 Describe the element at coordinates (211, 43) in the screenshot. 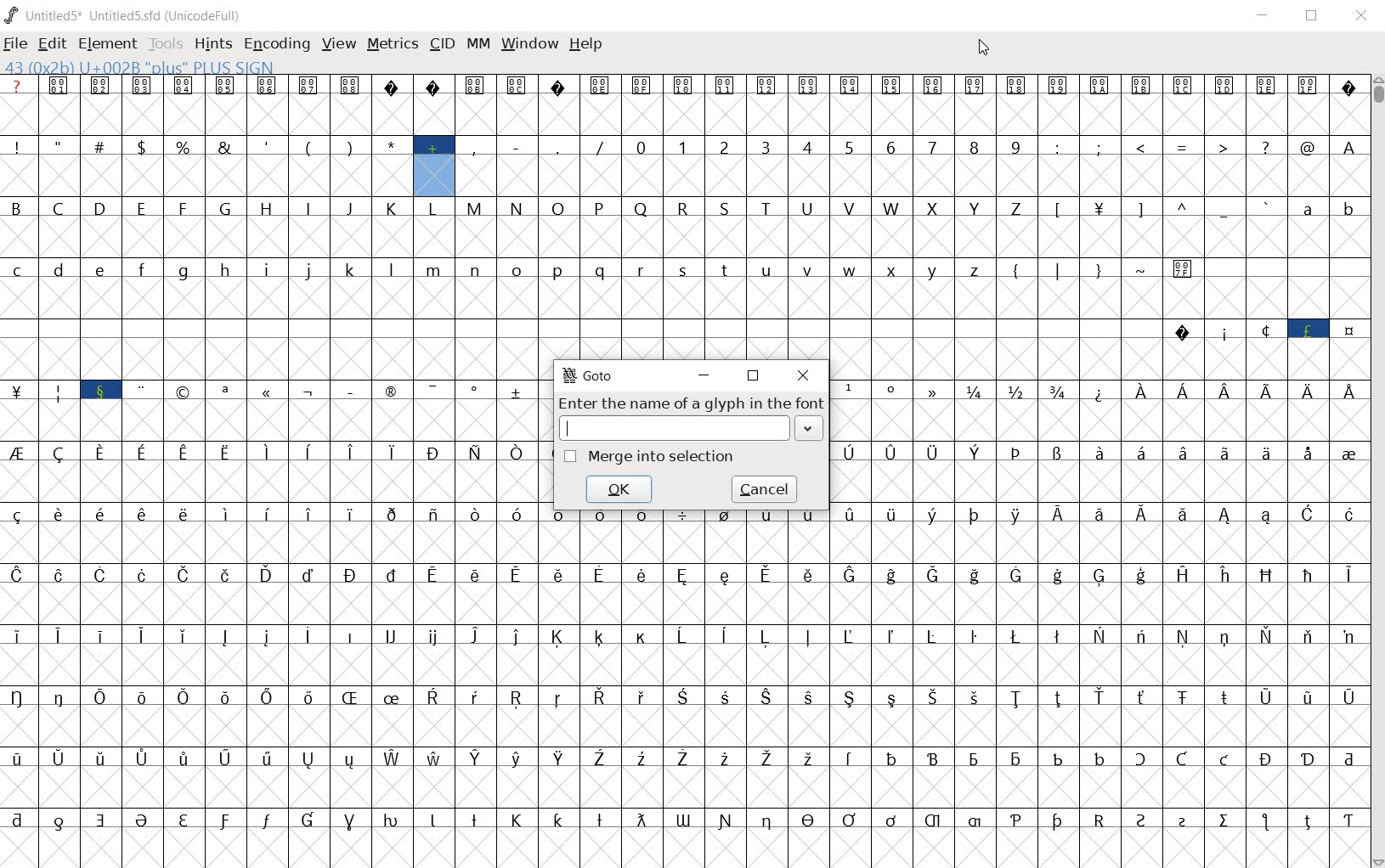

I see `hints` at that location.